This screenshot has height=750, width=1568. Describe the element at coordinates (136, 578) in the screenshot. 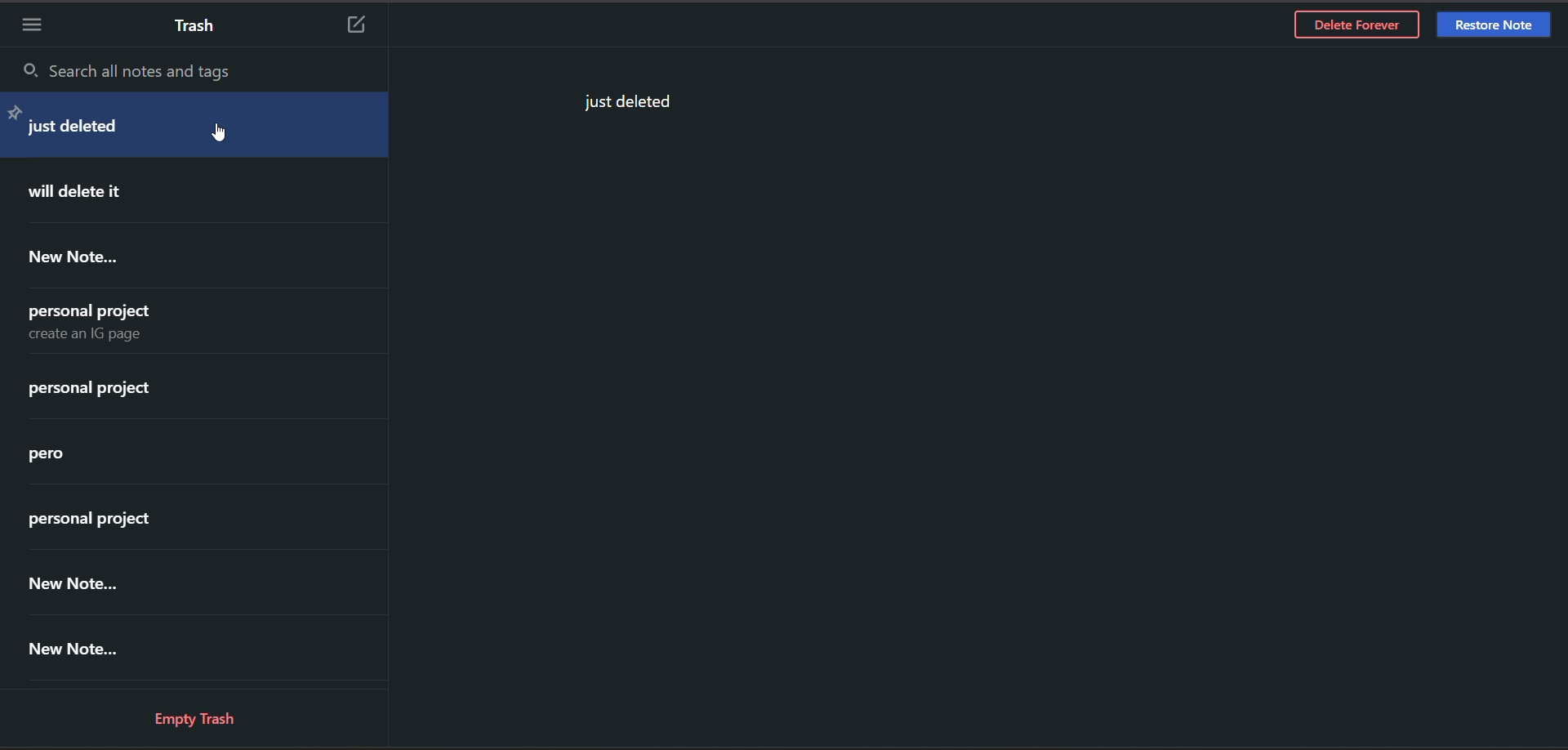

I see `deleted note title 8` at that location.